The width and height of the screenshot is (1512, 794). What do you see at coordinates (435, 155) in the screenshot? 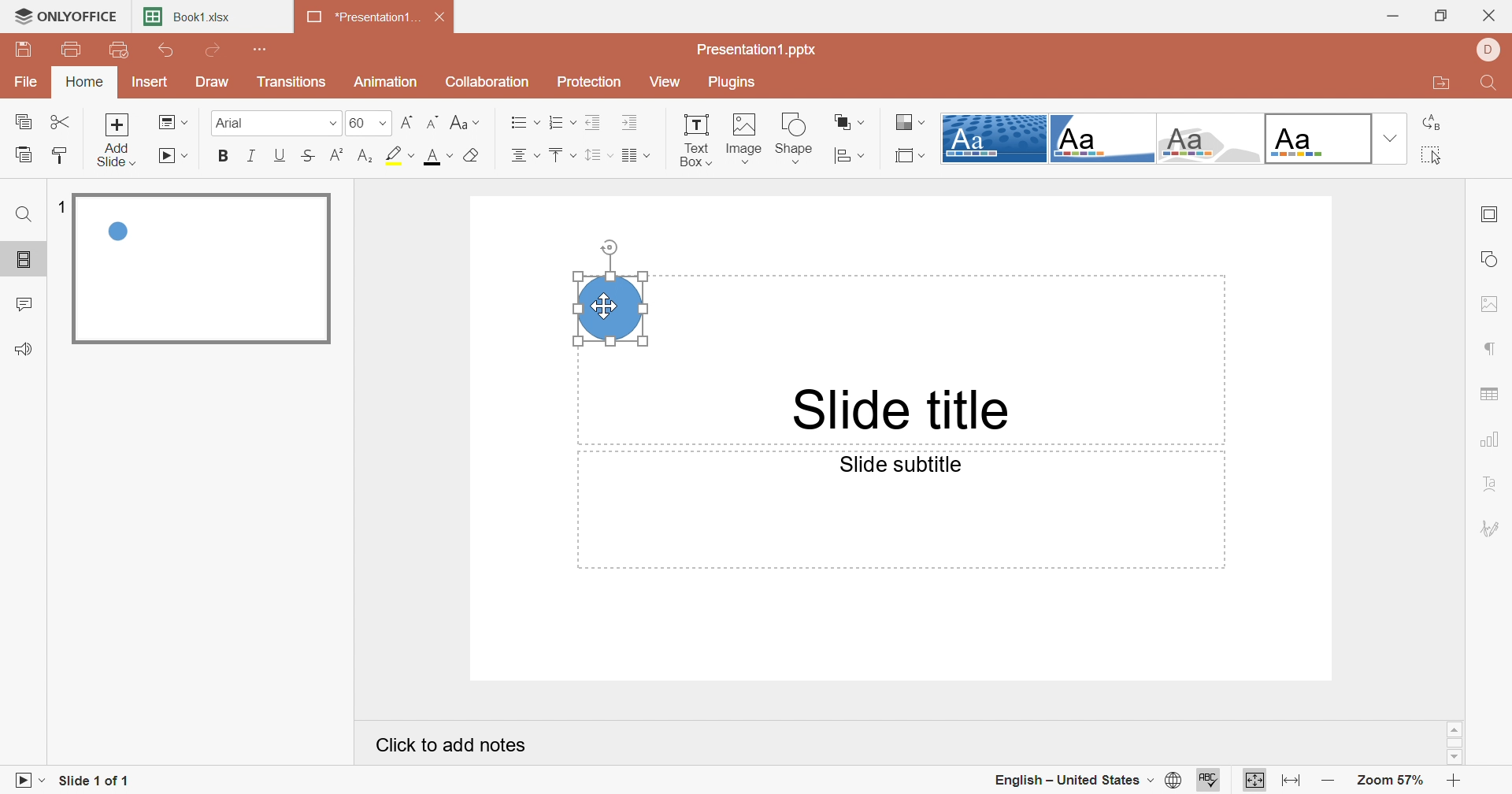
I see `Font color` at bounding box center [435, 155].